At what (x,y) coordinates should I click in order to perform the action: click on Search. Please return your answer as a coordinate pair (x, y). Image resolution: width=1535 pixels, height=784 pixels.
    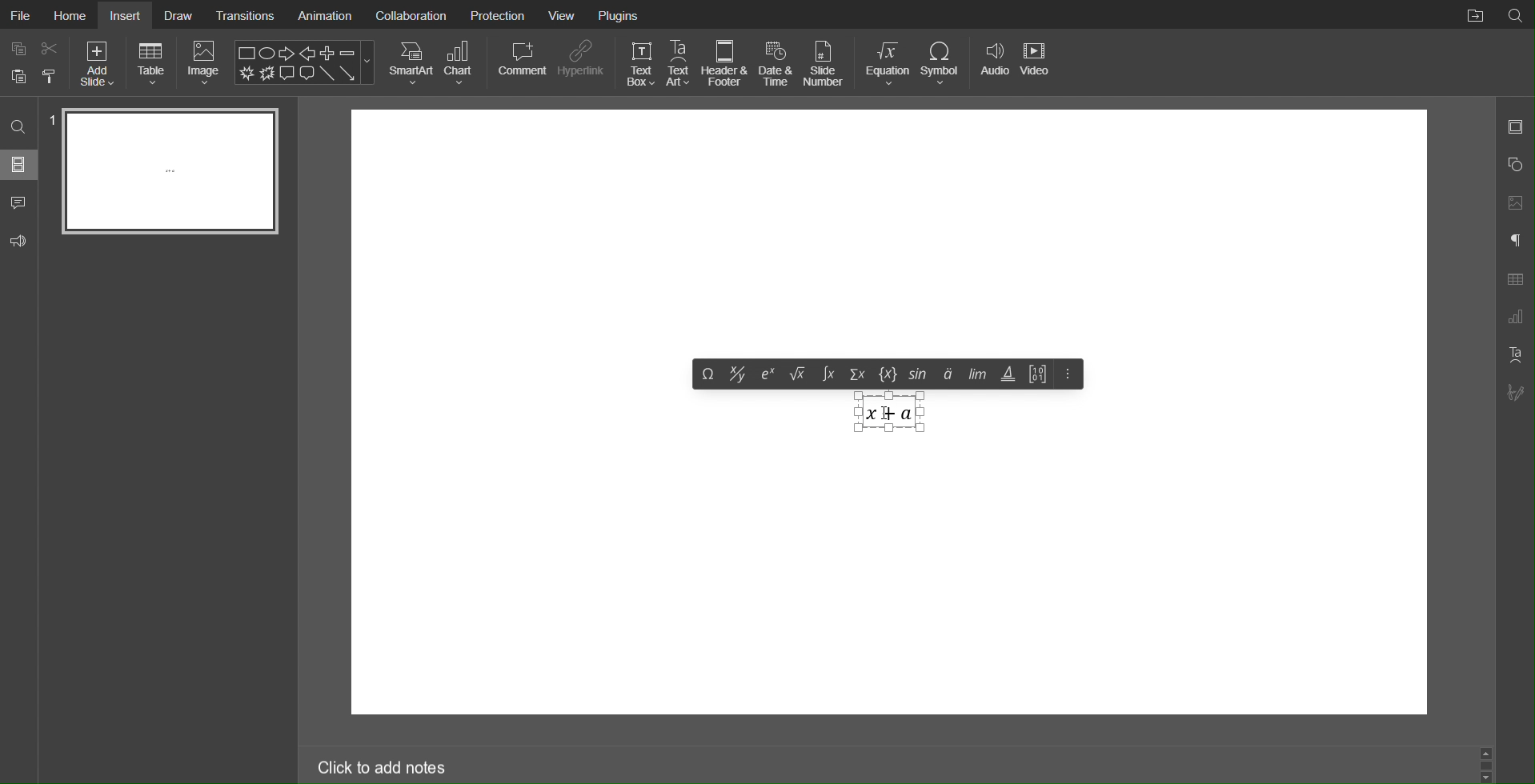
    Looking at the image, I should click on (19, 128).